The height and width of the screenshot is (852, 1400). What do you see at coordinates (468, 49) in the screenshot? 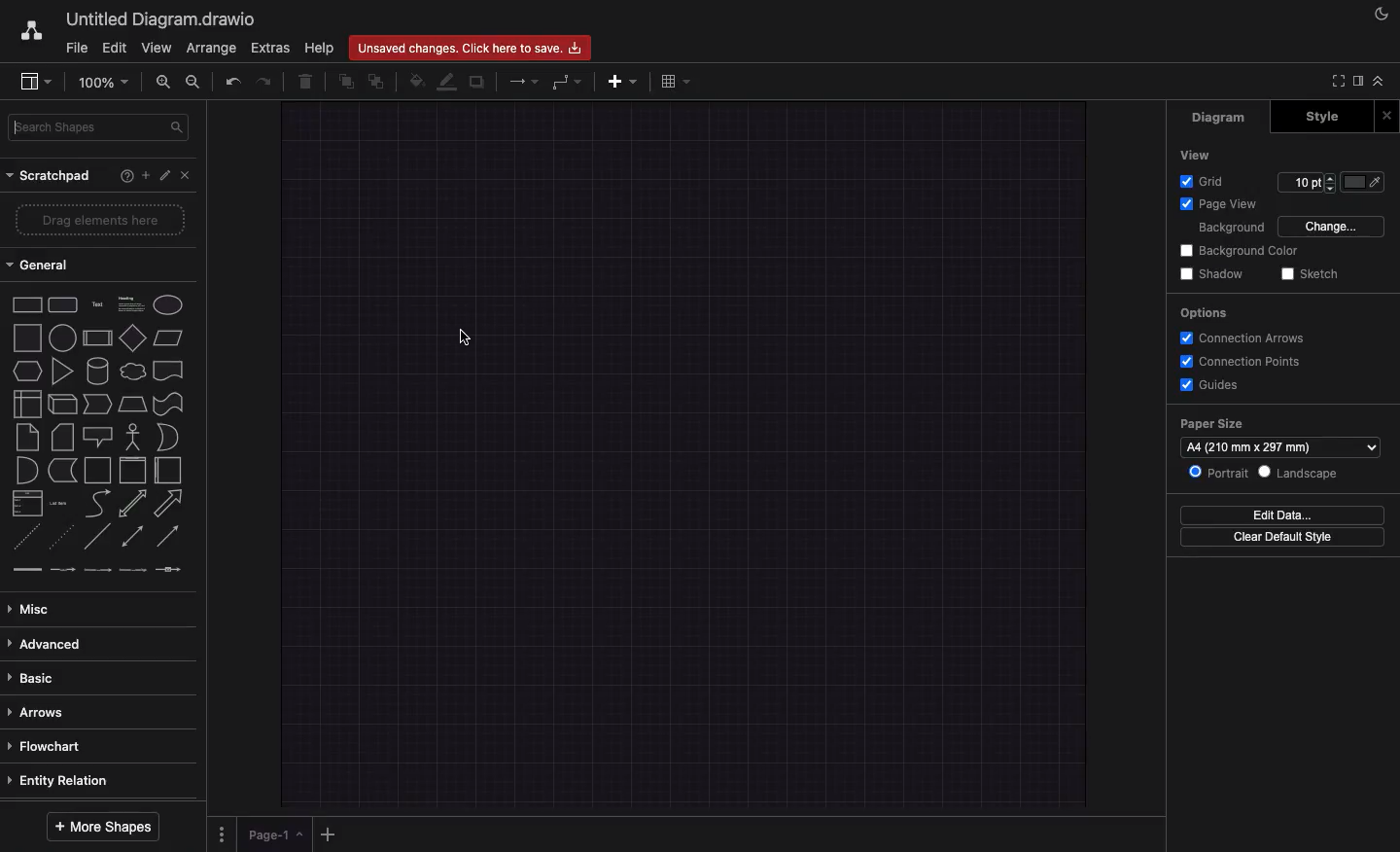
I see `Unsaved` at bounding box center [468, 49].